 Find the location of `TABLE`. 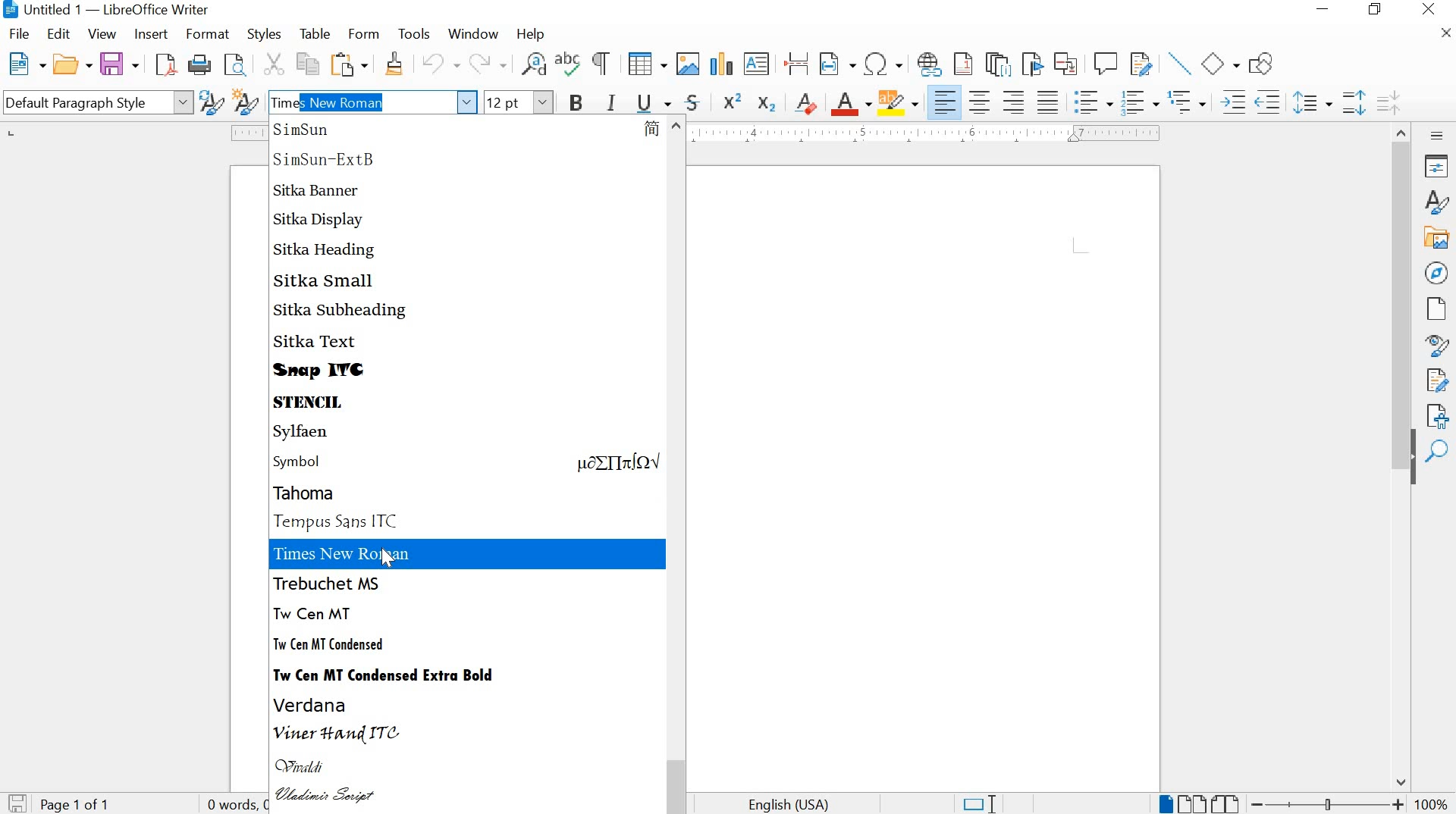

TABLE is located at coordinates (315, 33).